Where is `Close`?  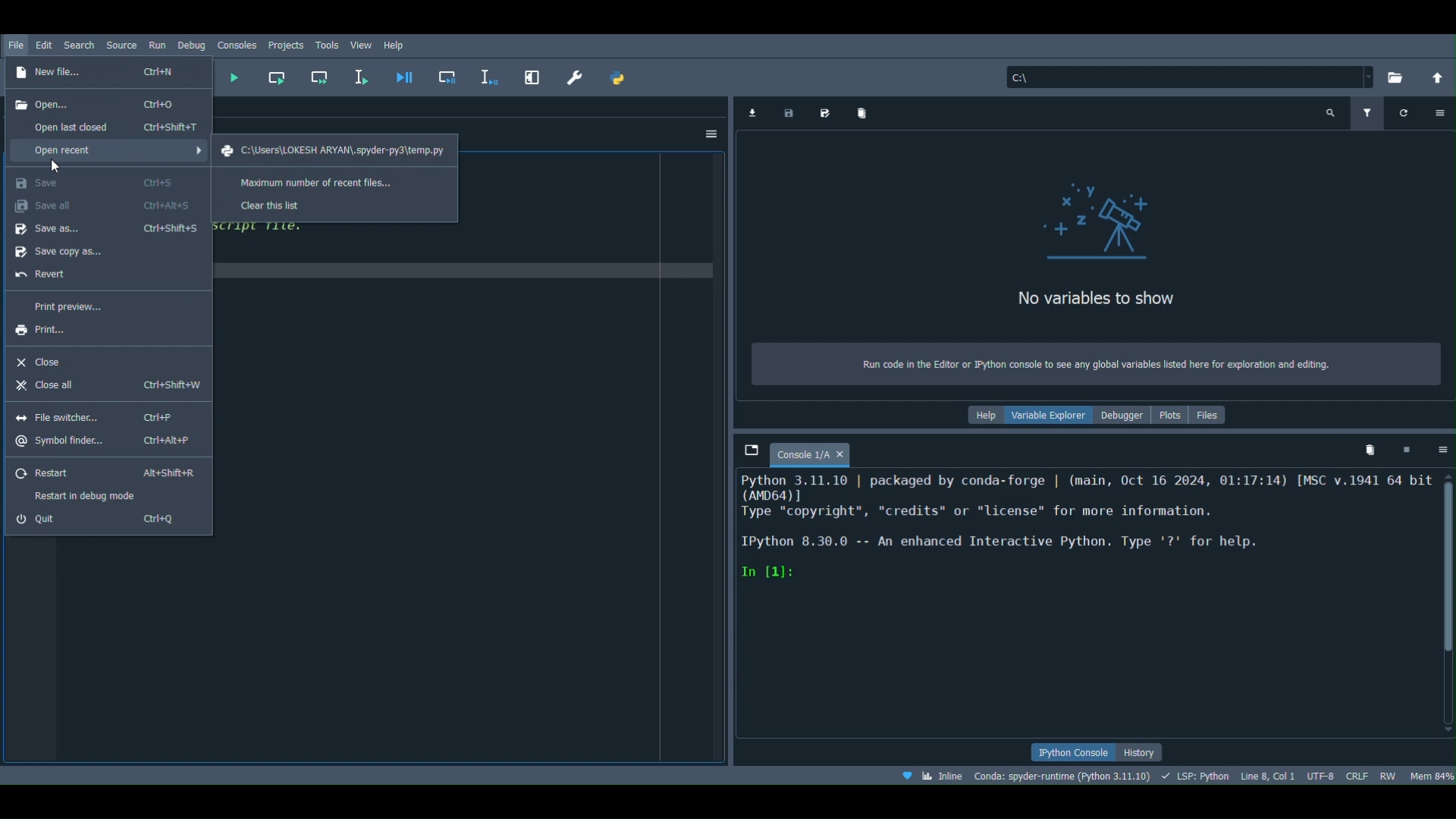 Close is located at coordinates (88, 359).